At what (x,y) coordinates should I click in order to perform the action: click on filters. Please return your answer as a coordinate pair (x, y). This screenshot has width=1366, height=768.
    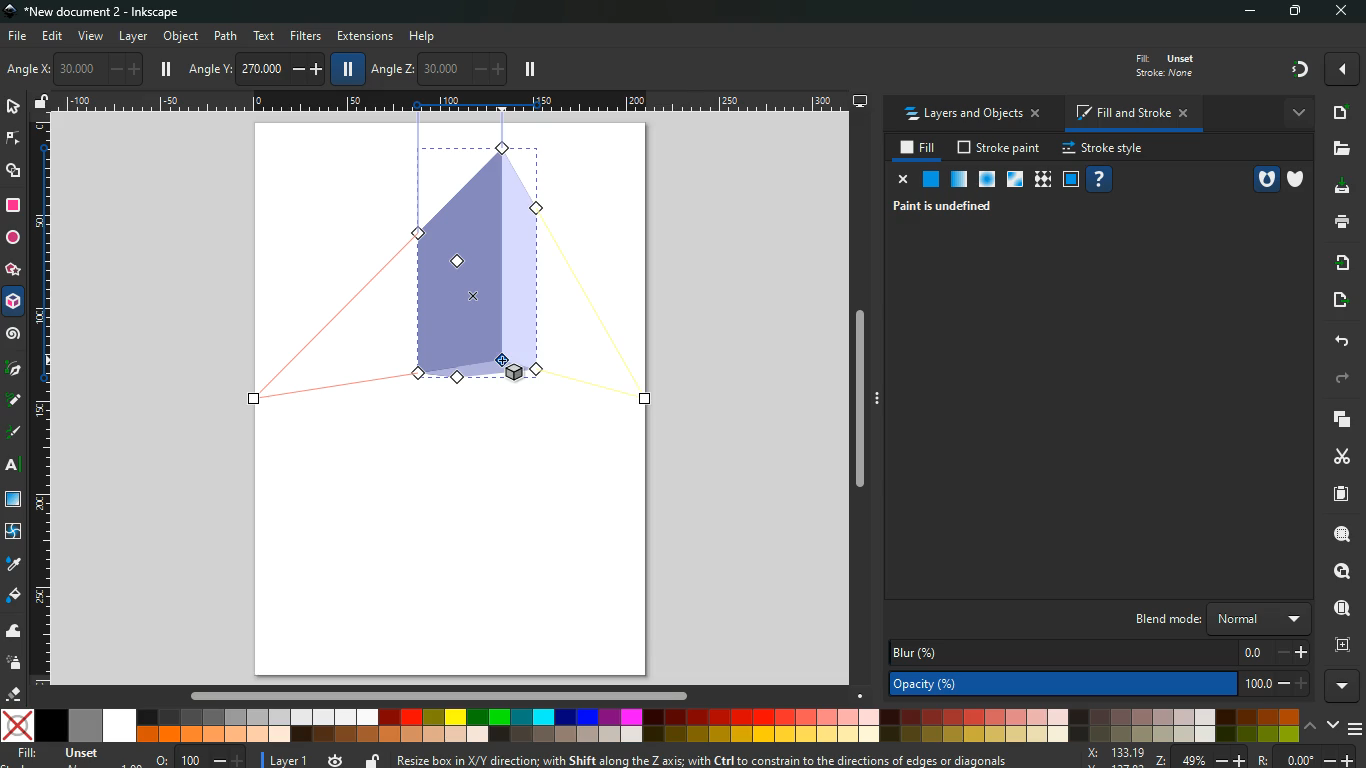
    Looking at the image, I should click on (306, 35).